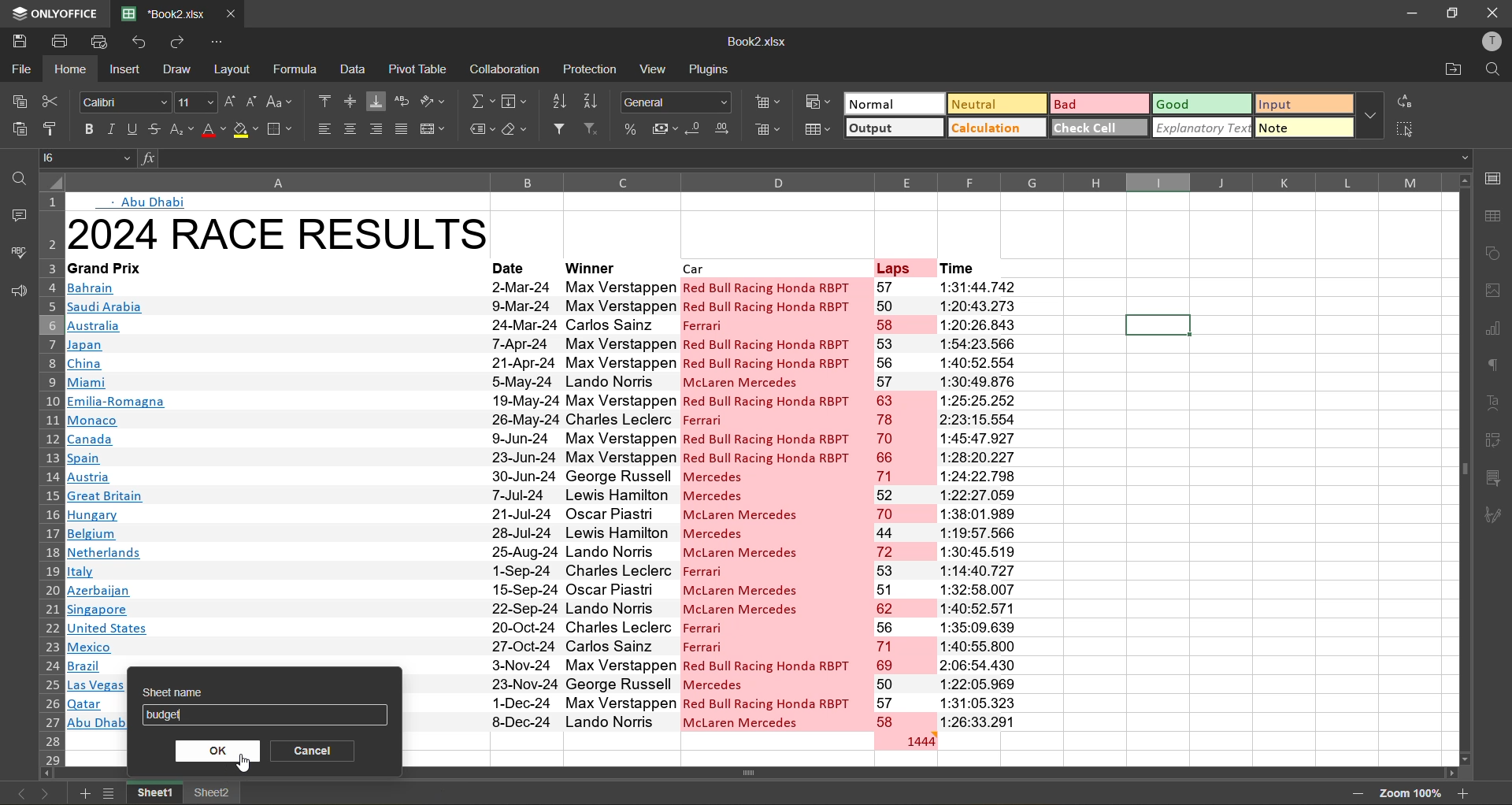 The height and width of the screenshot is (805, 1512). Describe the element at coordinates (245, 131) in the screenshot. I see `fill color` at that location.